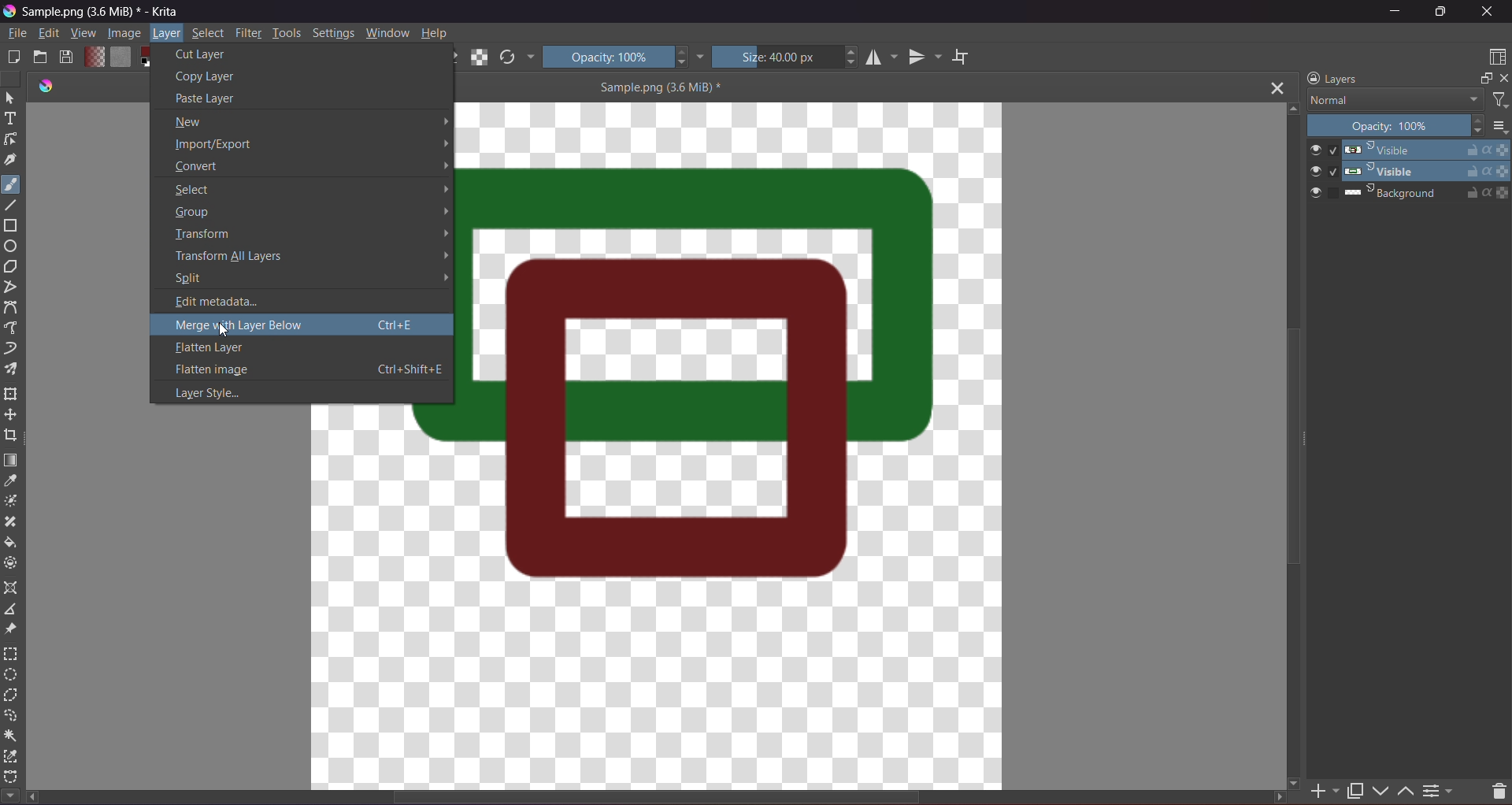 The image size is (1512, 805). Describe the element at coordinates (881, 57) in the screenshot. I see `Horizontal Mirror Tool` at that location.